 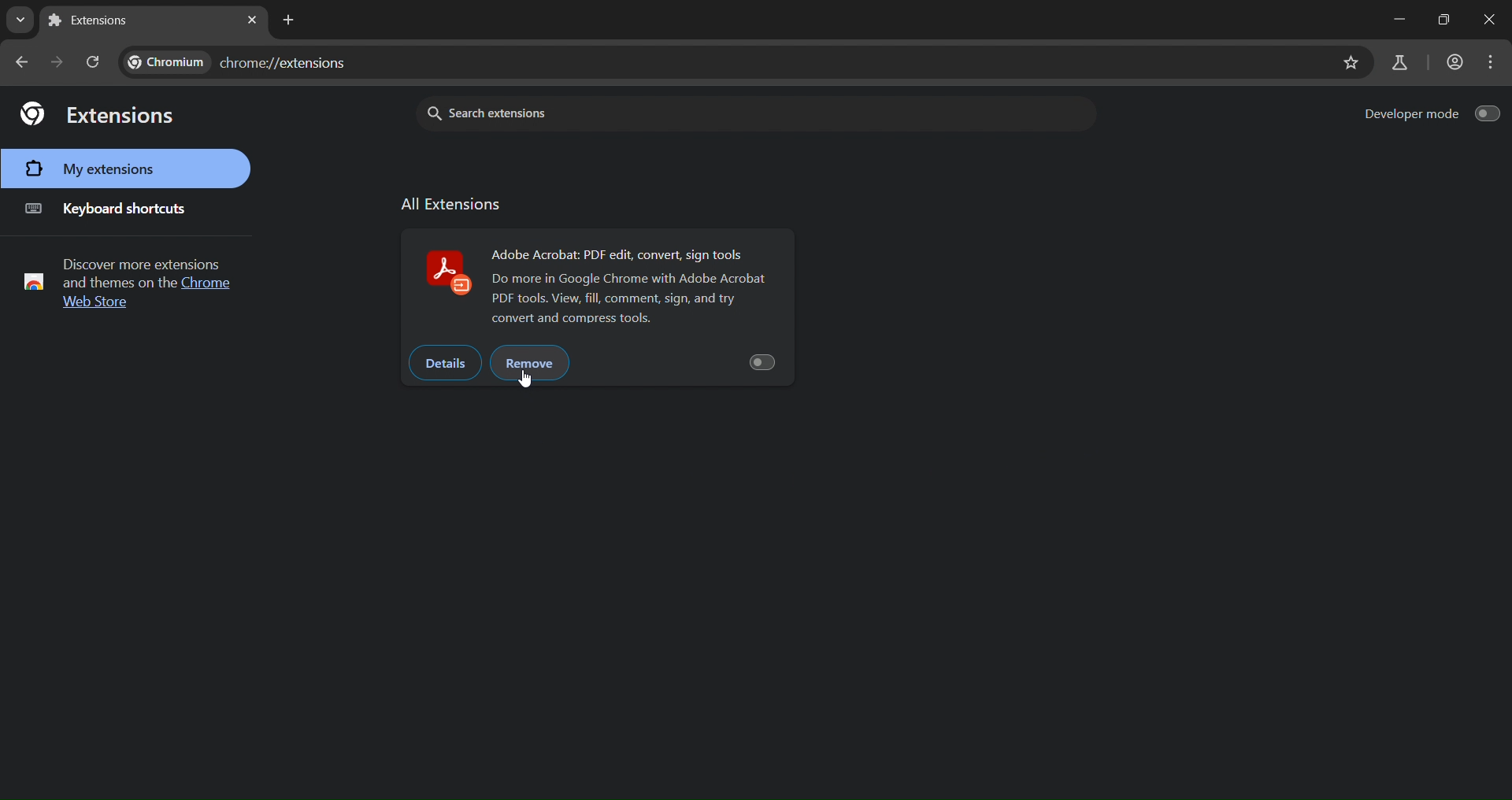 I want to click on keyboard shortcuts, so click(x=128, y=209).